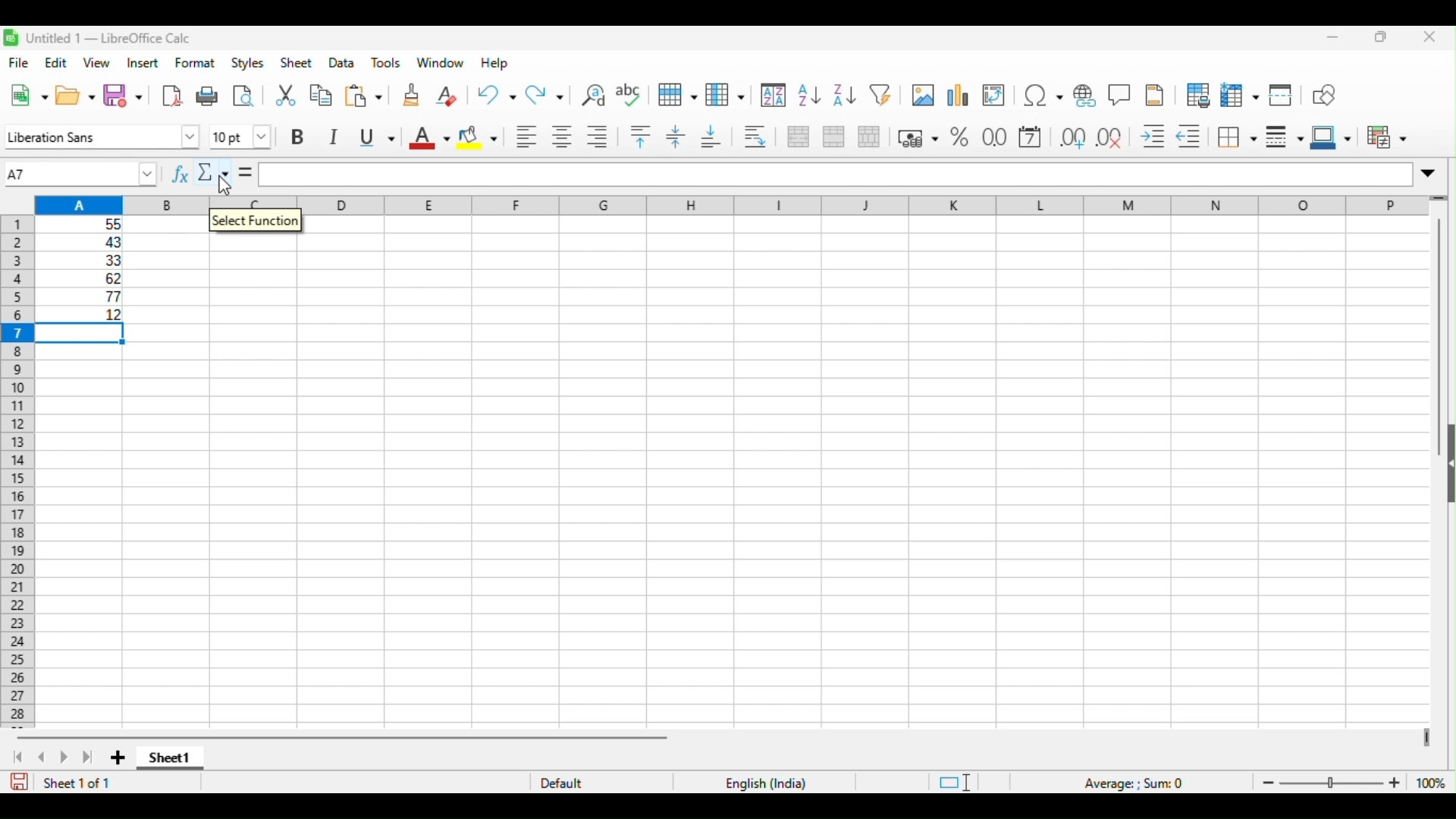  I want to click on freeze rows and columns, so click(1241, 94).